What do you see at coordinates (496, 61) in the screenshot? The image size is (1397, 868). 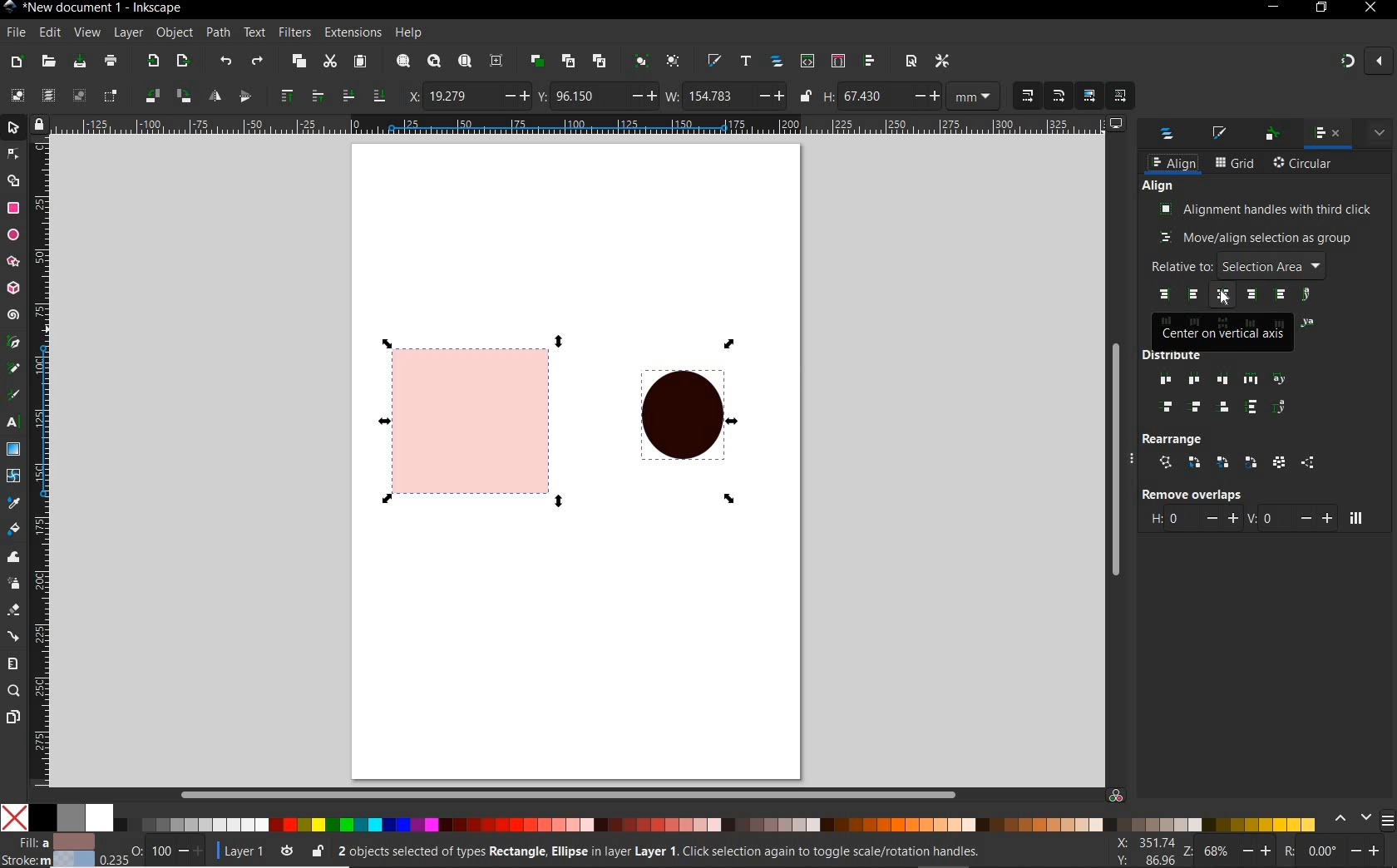 I see `zoom center page` at bounding box center [496, 61].